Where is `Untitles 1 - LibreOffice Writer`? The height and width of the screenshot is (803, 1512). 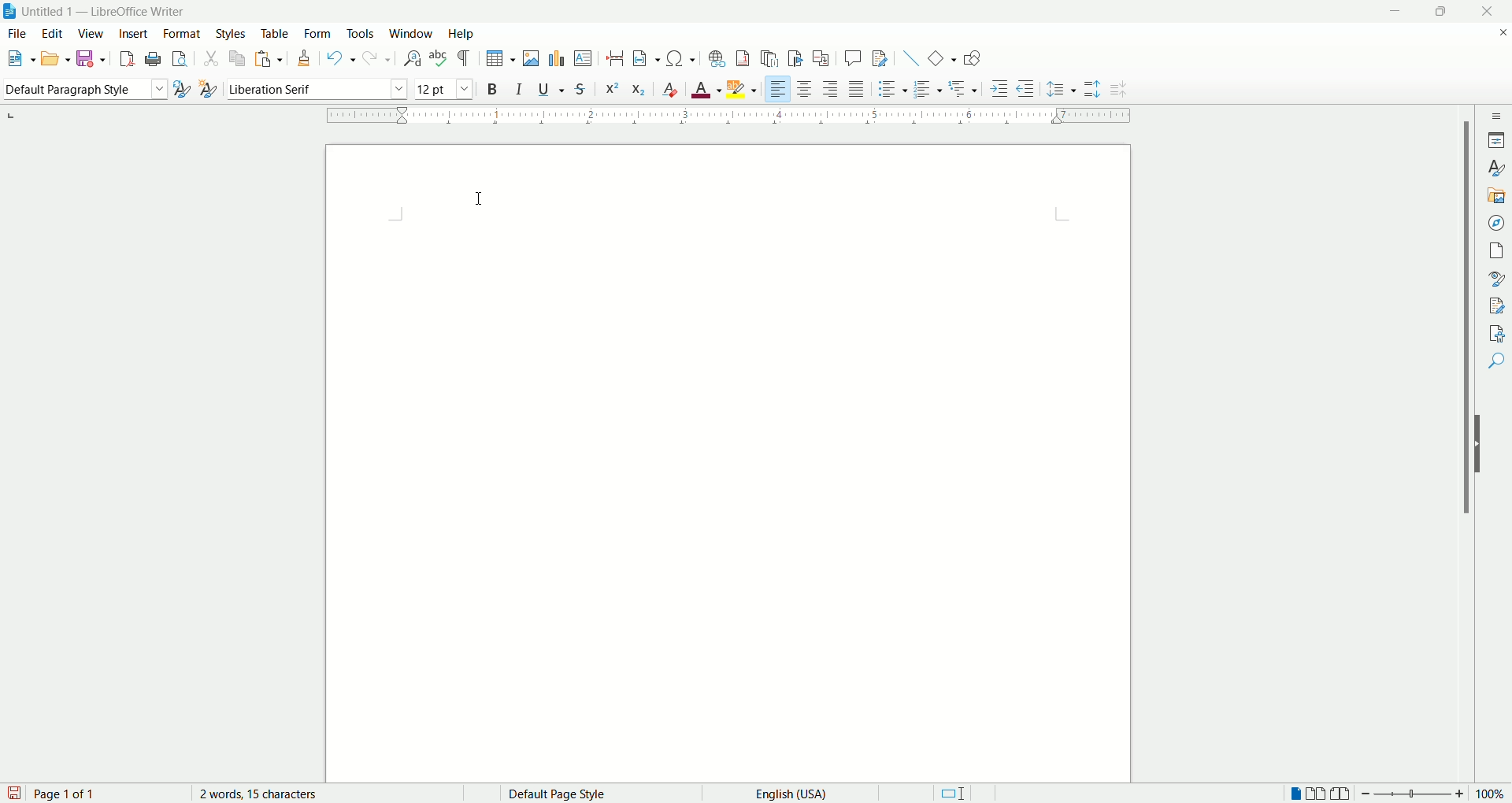 Untitles 1 - LibreOffice Writer is located at coordinates (107, 9).